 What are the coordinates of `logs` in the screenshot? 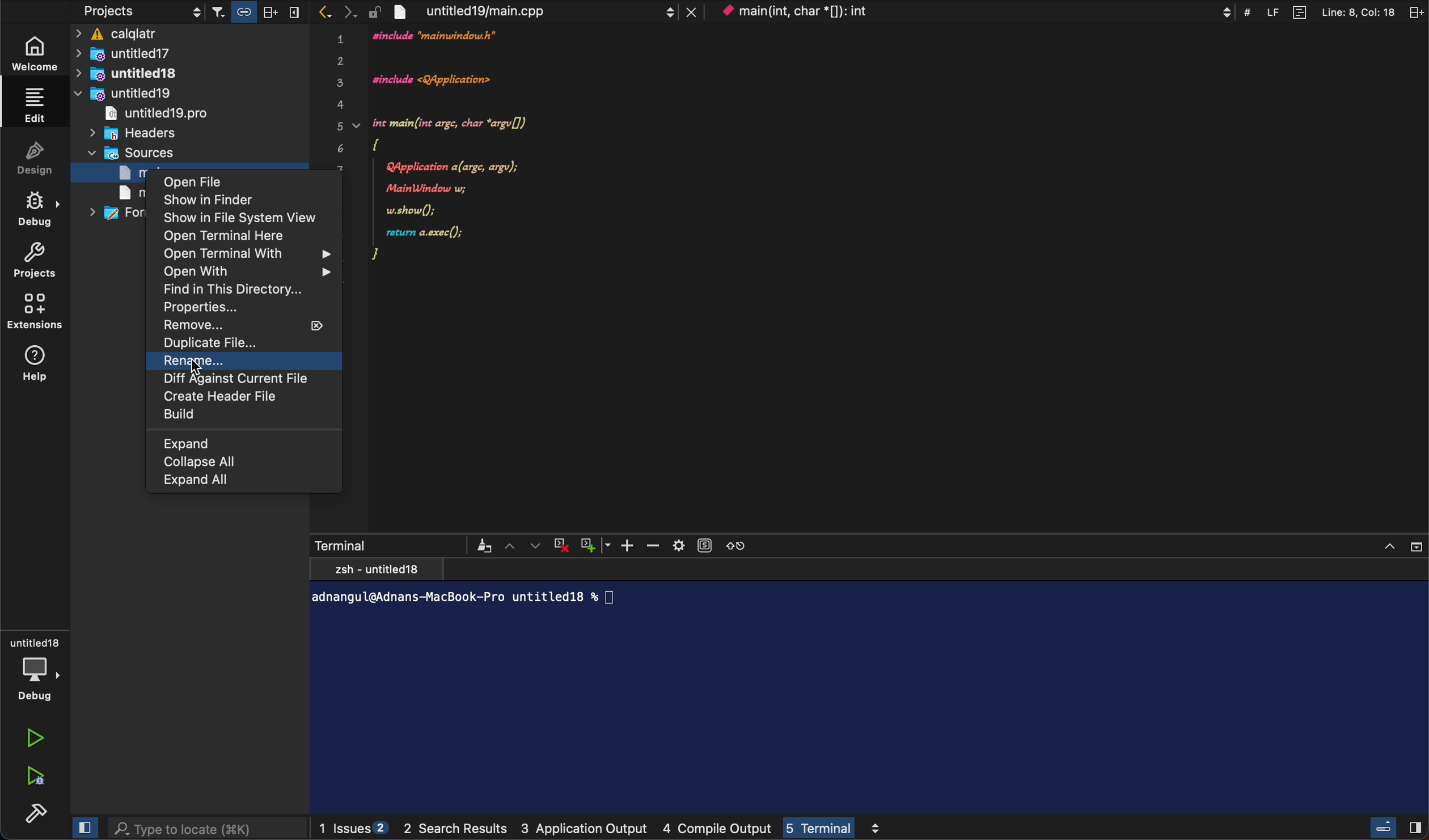 It's located at (610, 829).